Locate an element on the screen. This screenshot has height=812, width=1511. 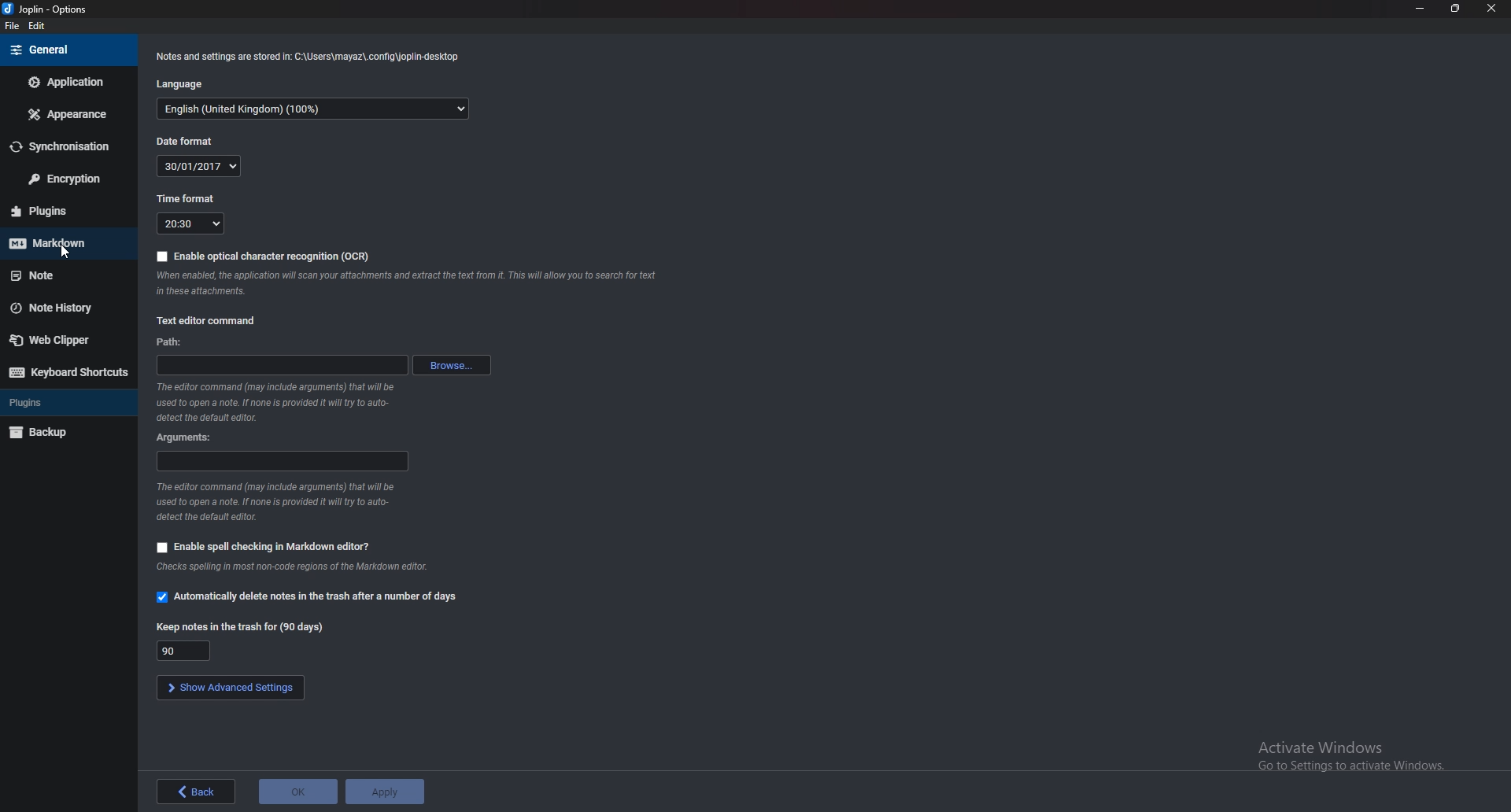
appearance is located at coordinates (71, 116).